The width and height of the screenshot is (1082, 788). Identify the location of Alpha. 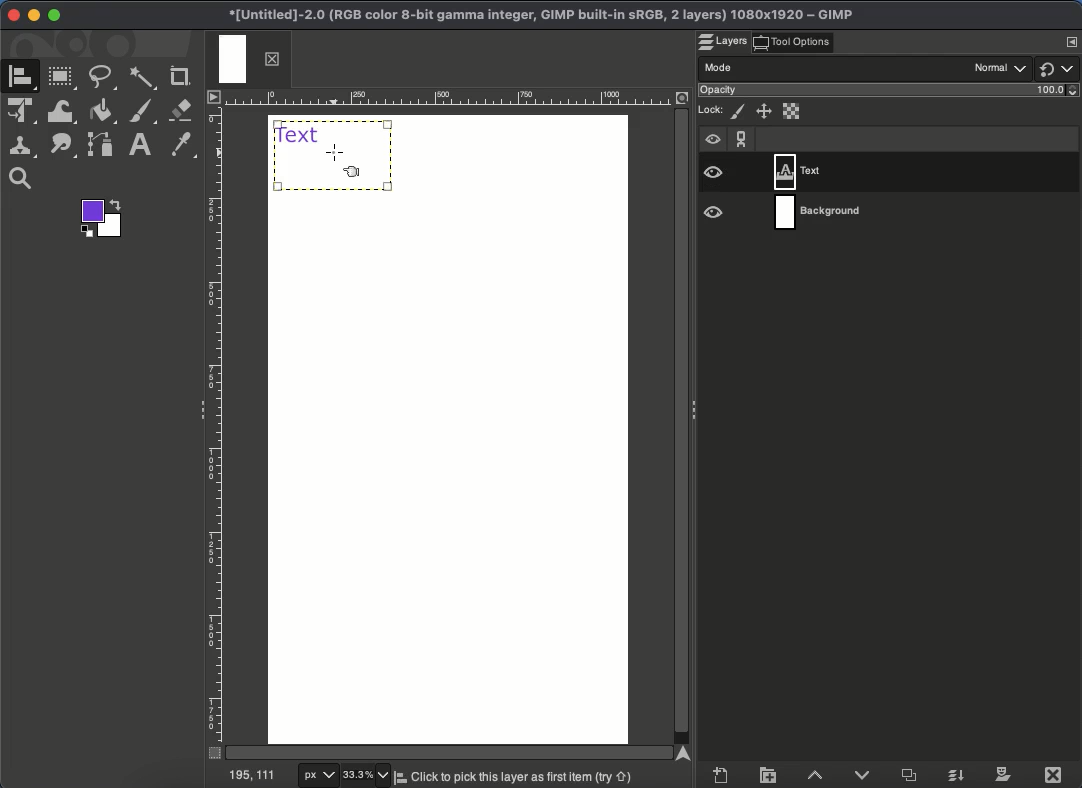
(791, 110).